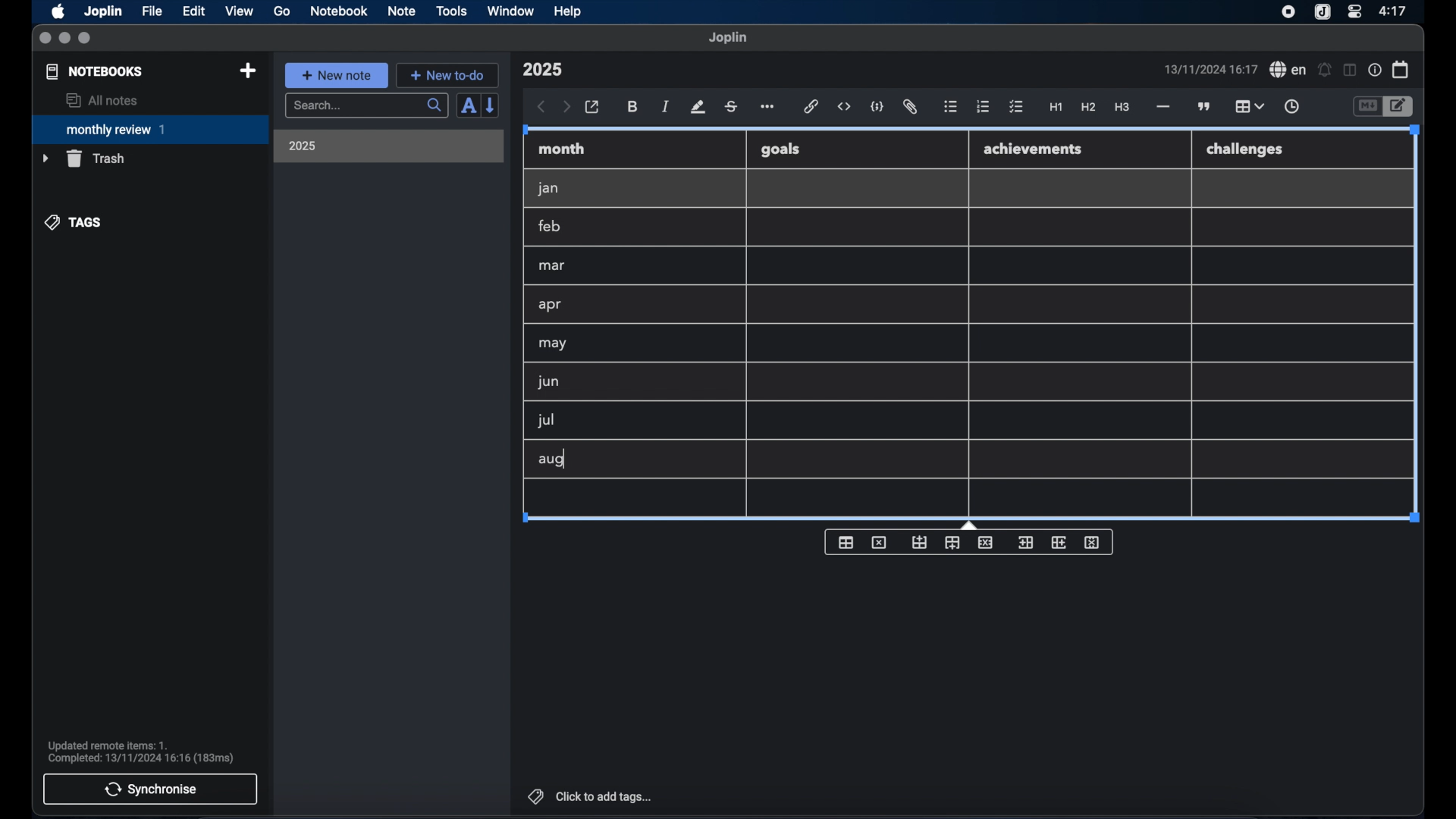 The image size is (1456, 819). Describe the element at coordinates (591, 796) in the screenshot. I see `click to add tags` at that location.